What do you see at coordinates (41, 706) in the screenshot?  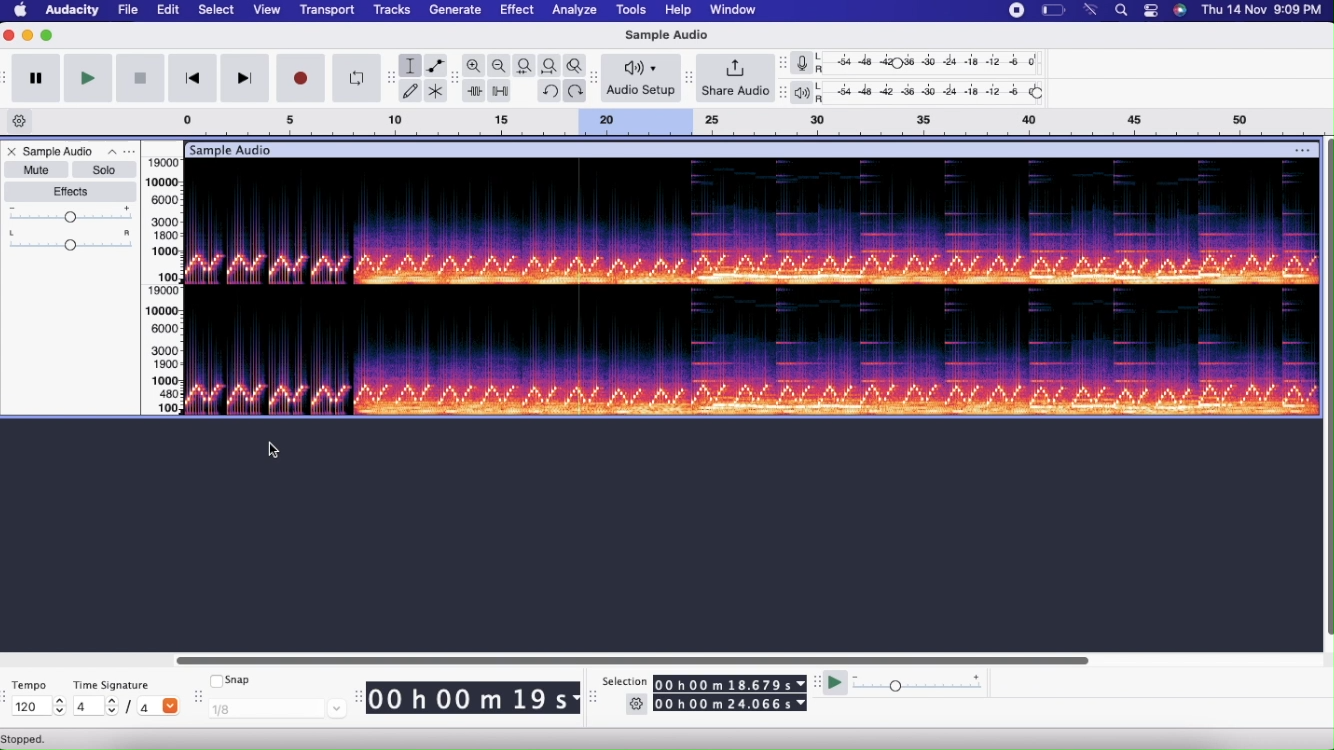 I see `120` at bounding box center [41, 706].